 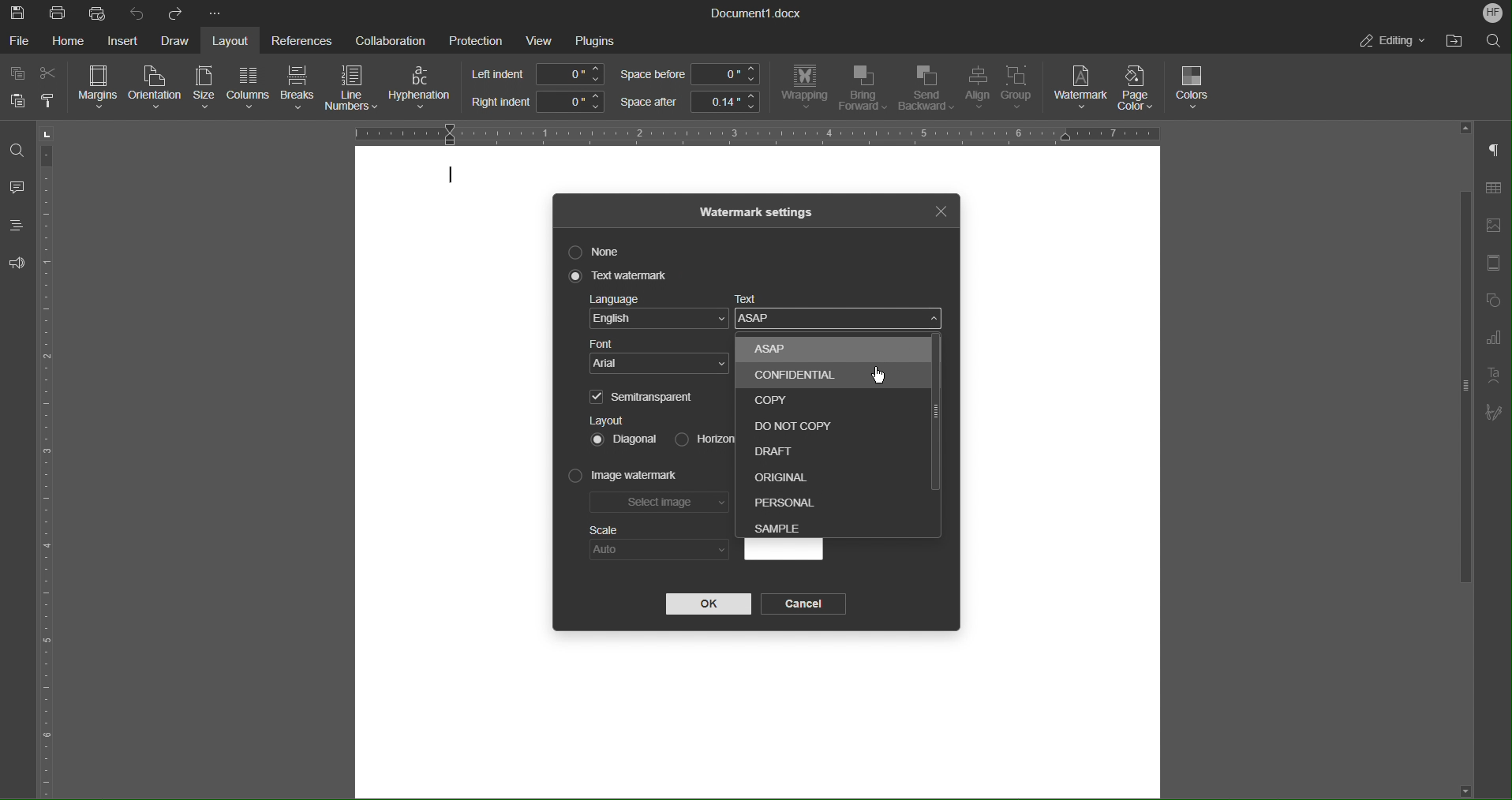 What do you see at coordinates (386, 39) in the screenshot?
I see `Collaboration` at bounding box center [386, 39].